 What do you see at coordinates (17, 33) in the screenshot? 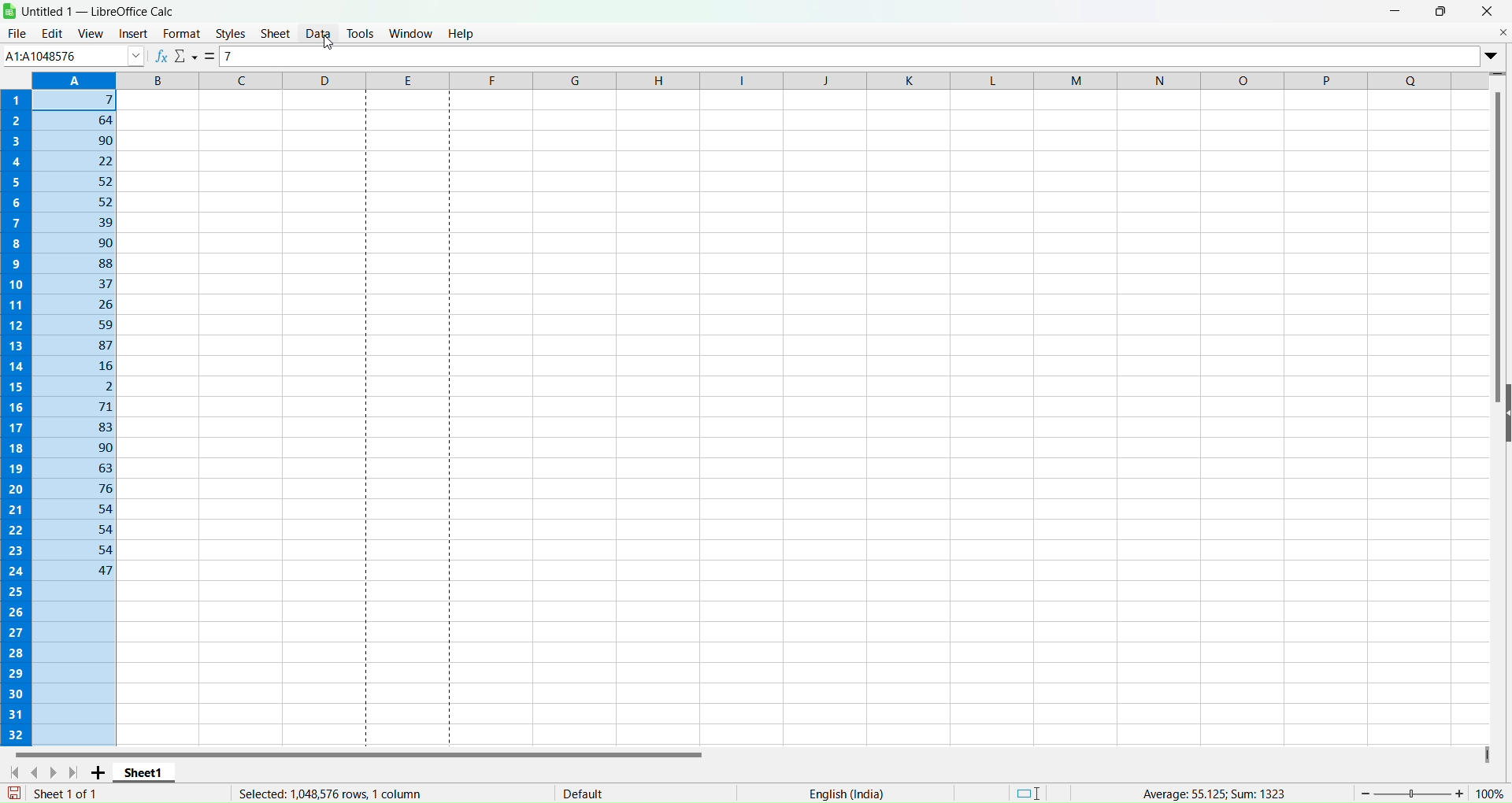
I see `File` at bounding box center [17, 33].